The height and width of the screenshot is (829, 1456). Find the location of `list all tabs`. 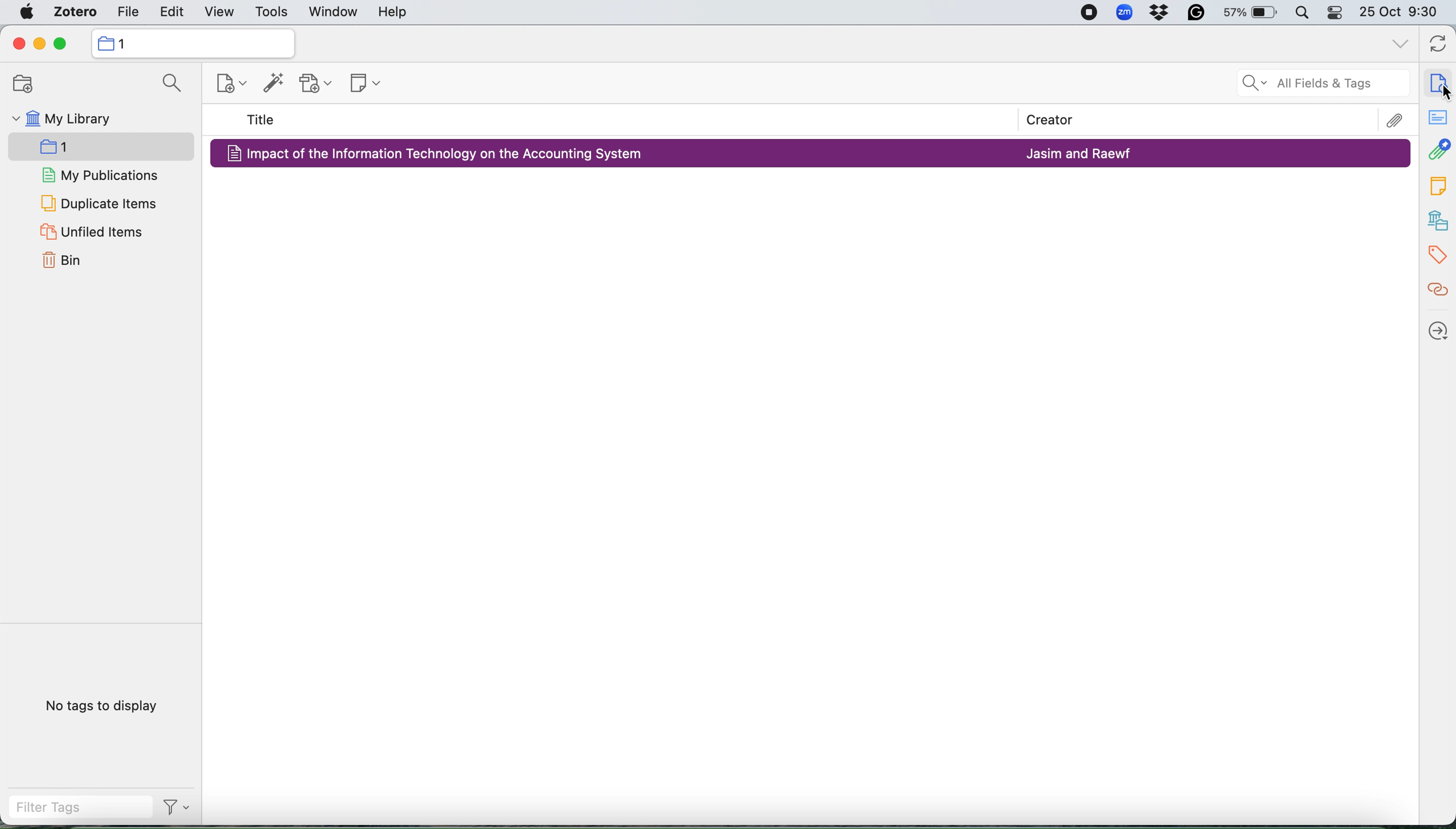

list all tabs is located at coordinates (1396, 46).